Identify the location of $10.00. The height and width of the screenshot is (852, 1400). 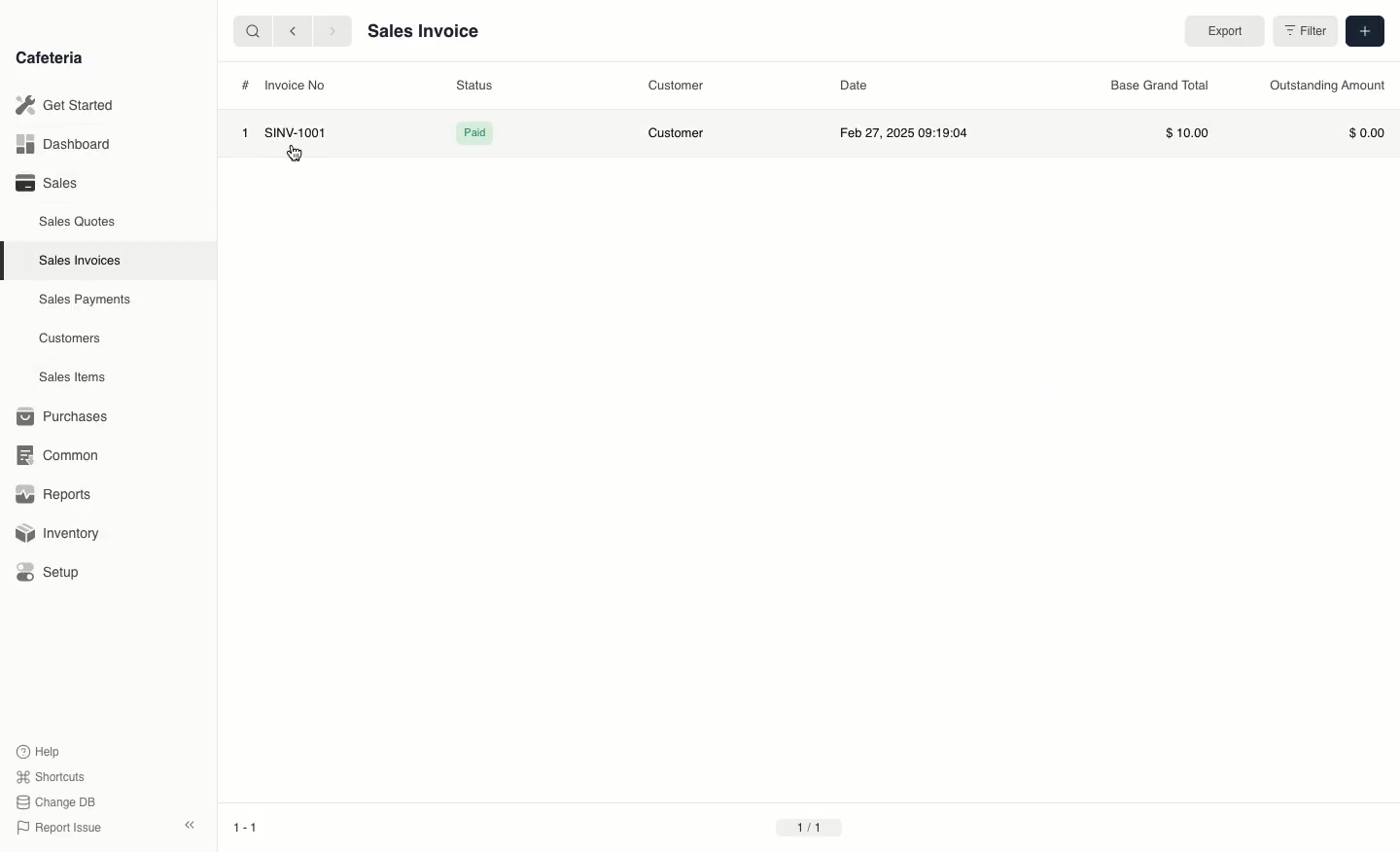
(1187, 131).